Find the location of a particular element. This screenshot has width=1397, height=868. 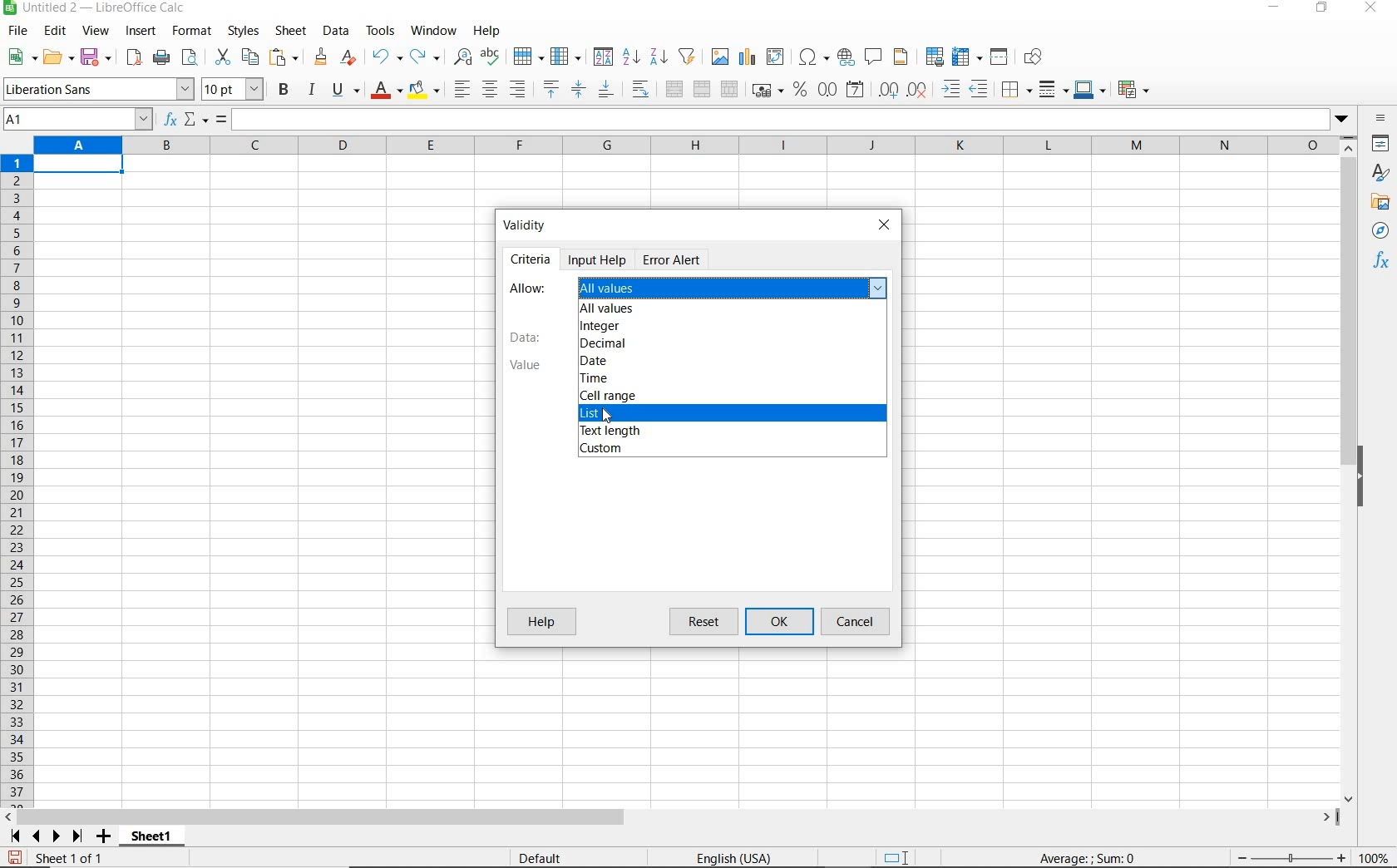

gallery is located at coordinates (1383, 203).